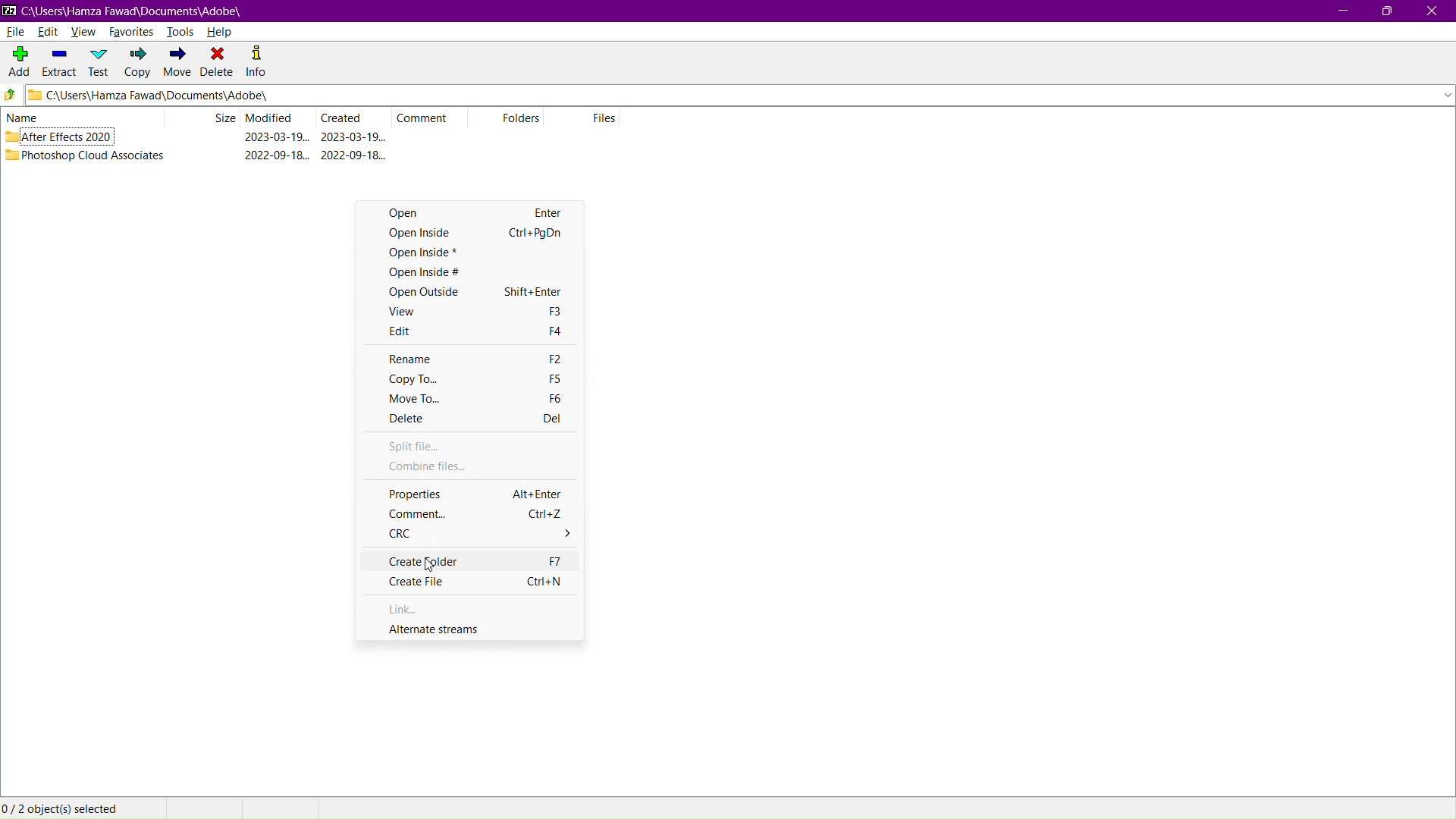 Image resolution: width=1456 pixels, height=819 pixels. I want to click on View, so click(83, 30).